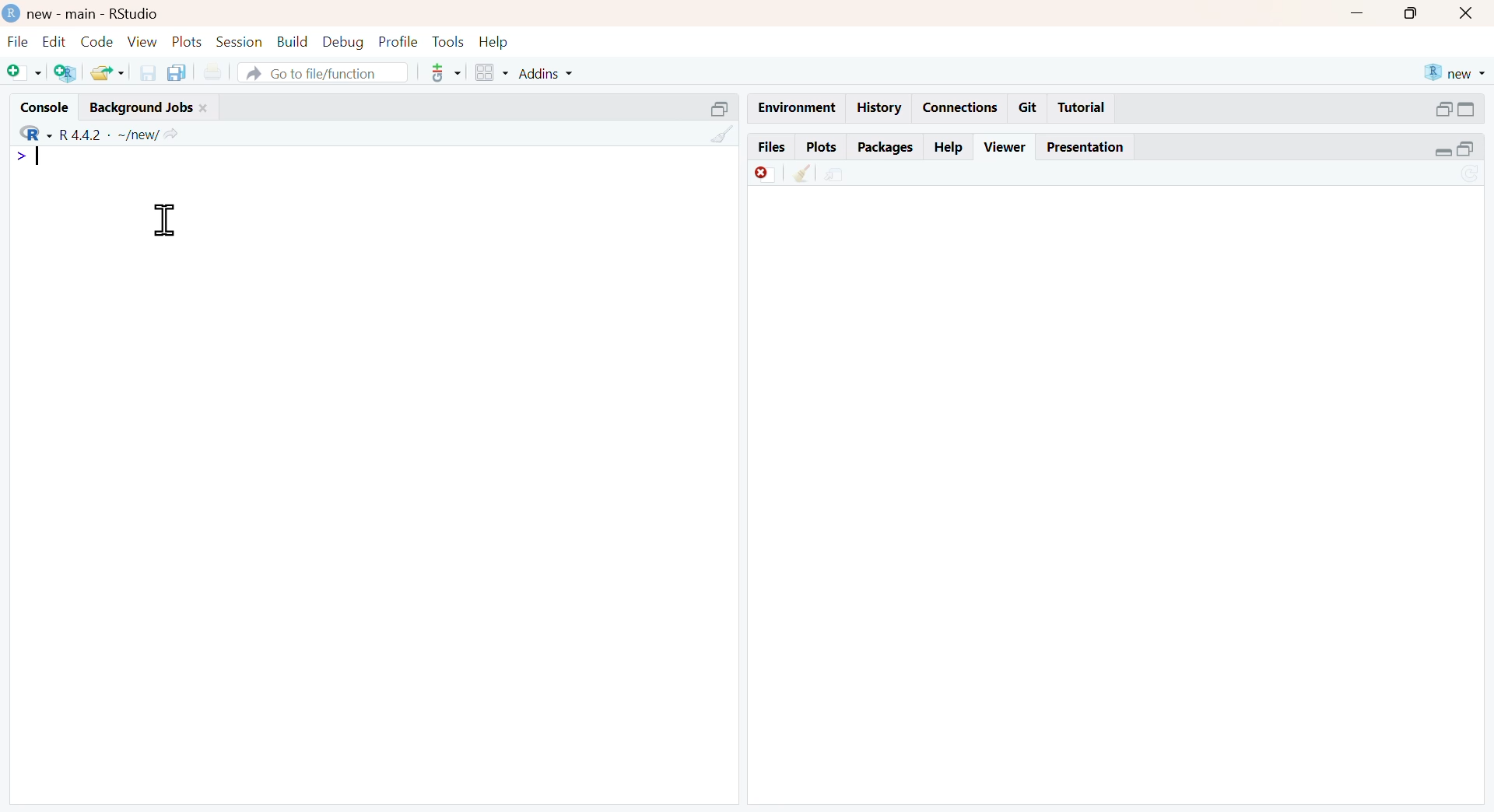  I want to click on Plots, so click(186, 42).